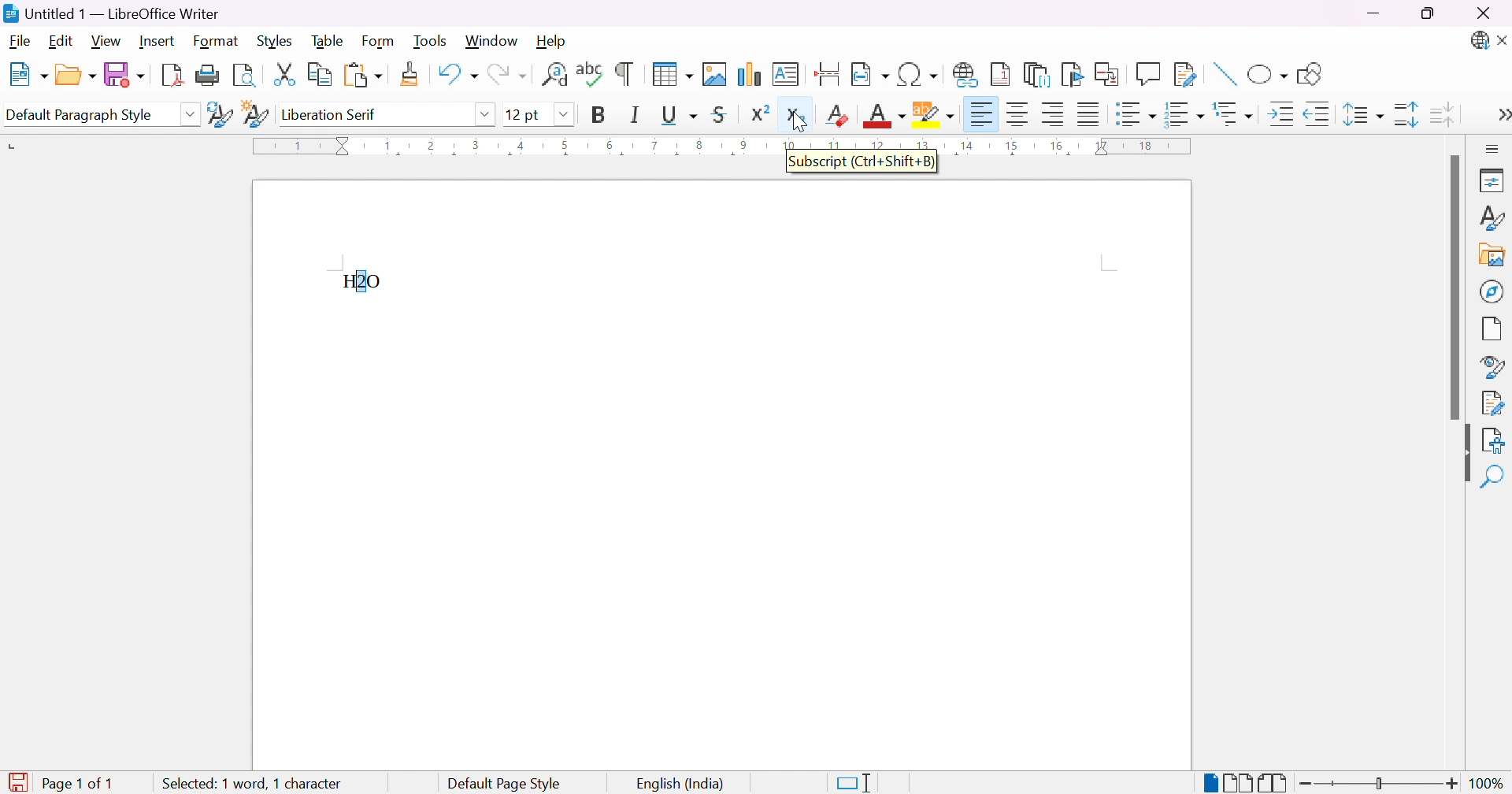  Describe the element at coordinates (1460, 455) in the screenshot. I see `Hide` at that location.